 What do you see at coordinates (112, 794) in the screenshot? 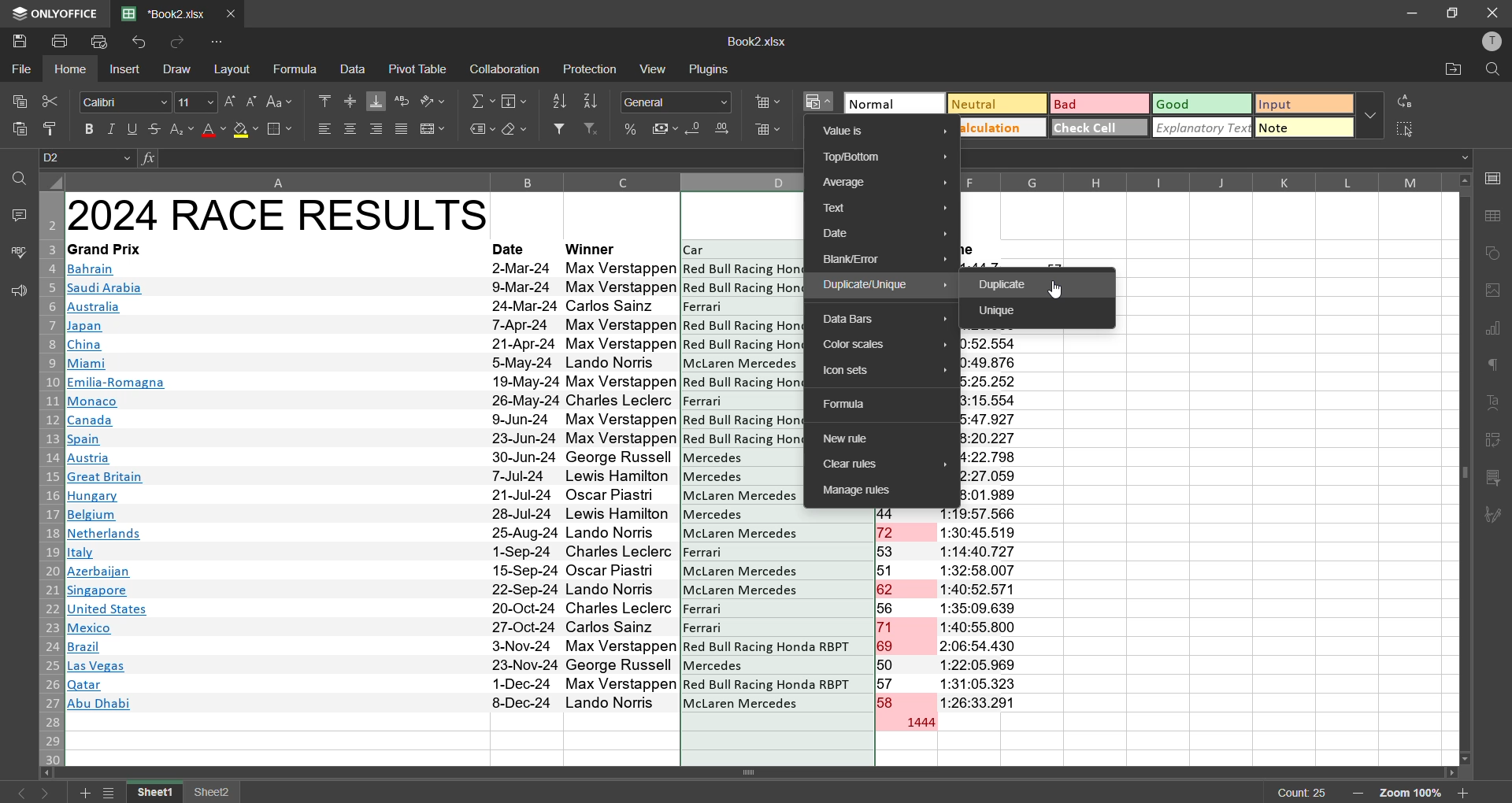
I see `sheet list` at bounding box center [112, 794].